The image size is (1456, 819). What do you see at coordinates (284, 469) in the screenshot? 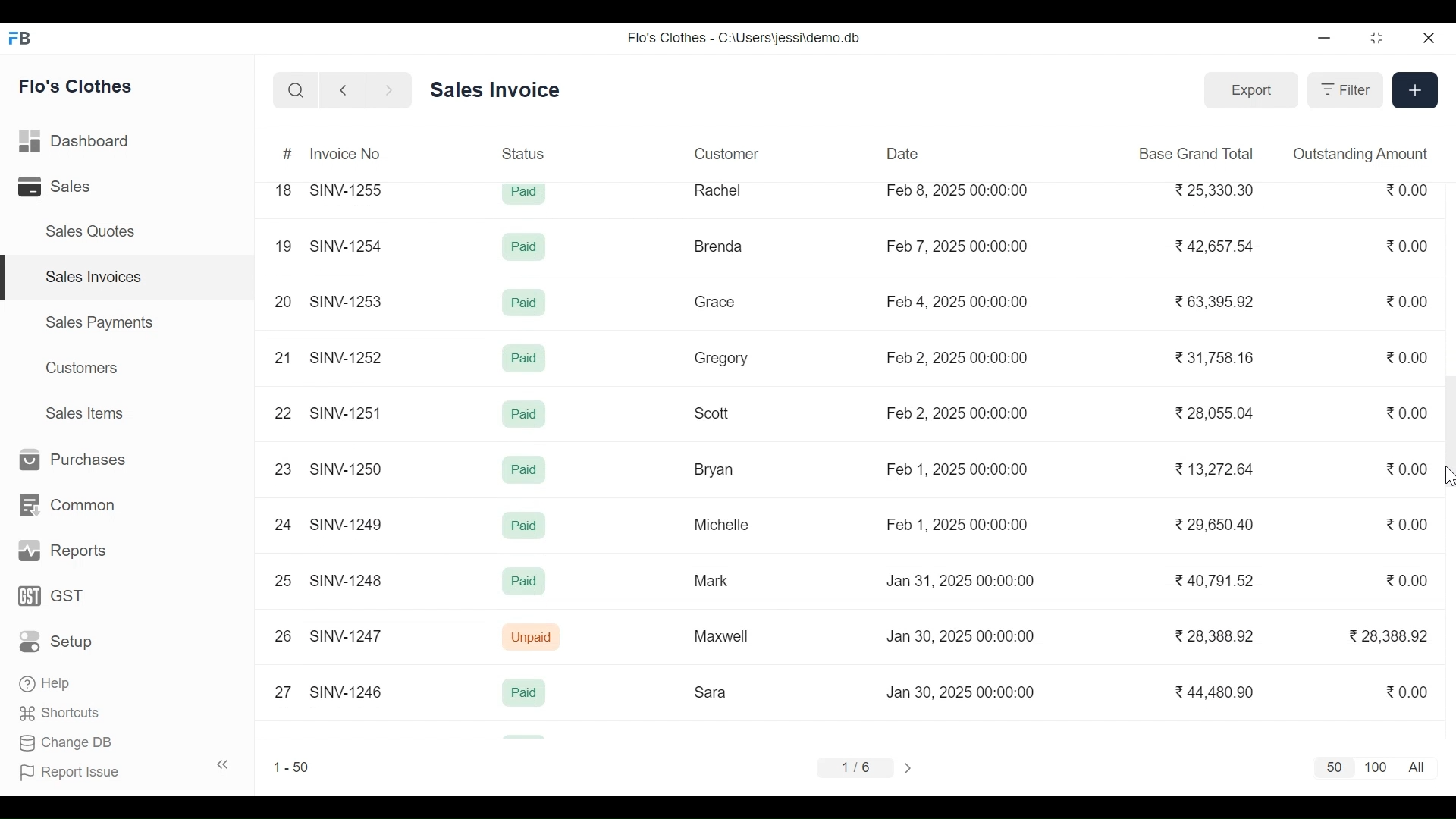
I see `23` at bounding box center [284, 469].